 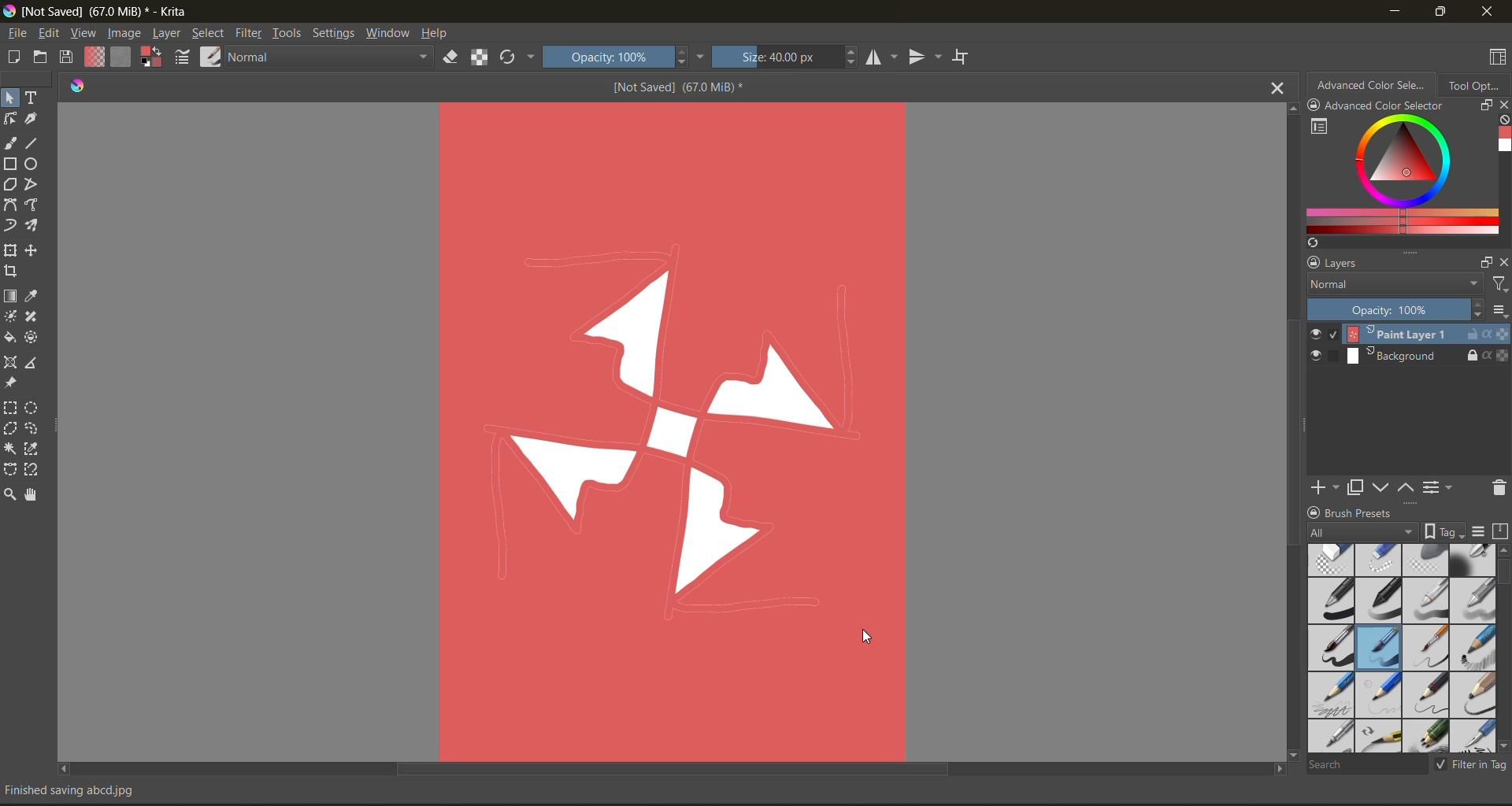 I want to click on vertical scroll bar, so click(x=1289, y=433).